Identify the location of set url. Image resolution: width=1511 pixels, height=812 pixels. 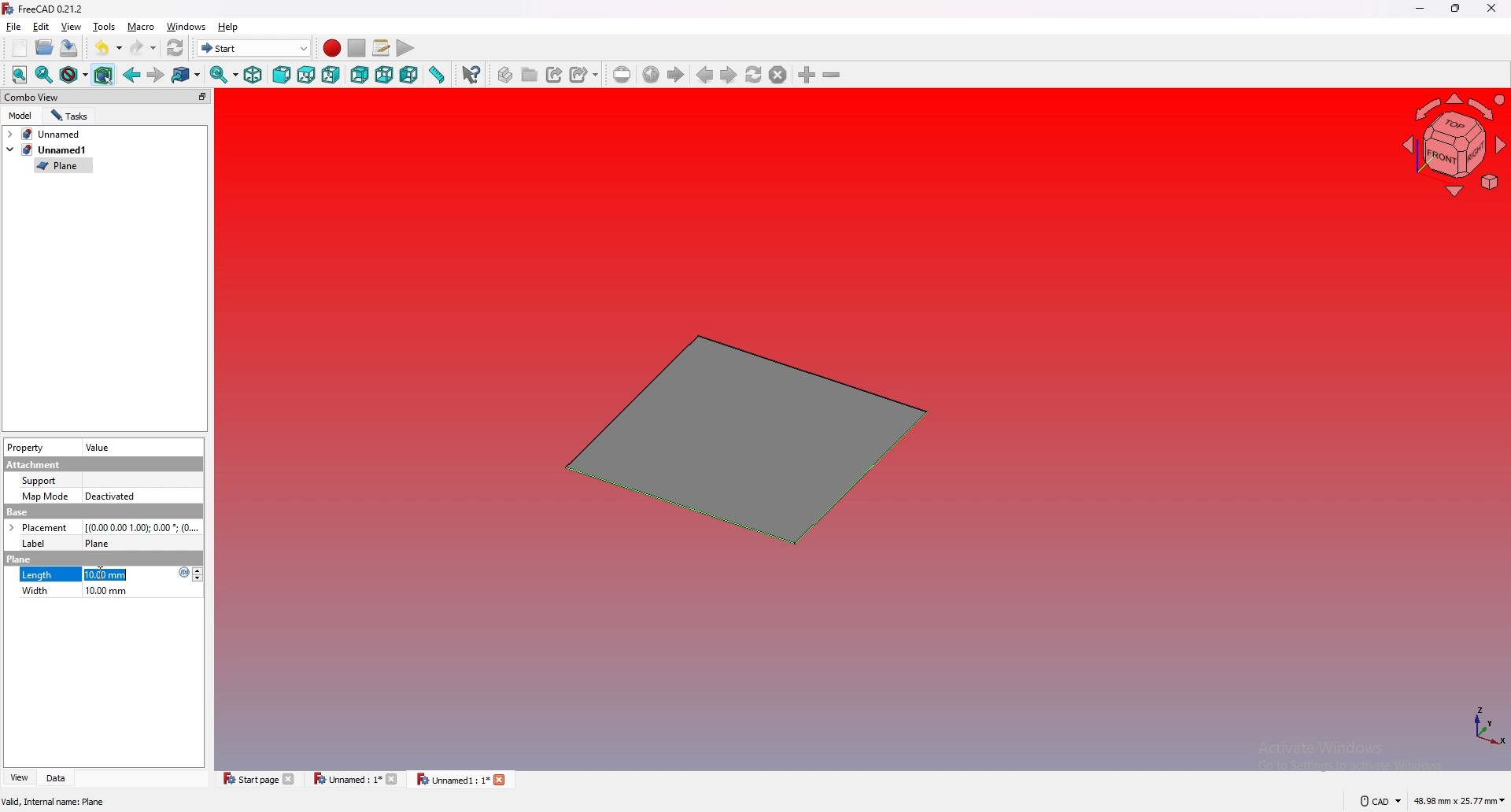
(623, 75).